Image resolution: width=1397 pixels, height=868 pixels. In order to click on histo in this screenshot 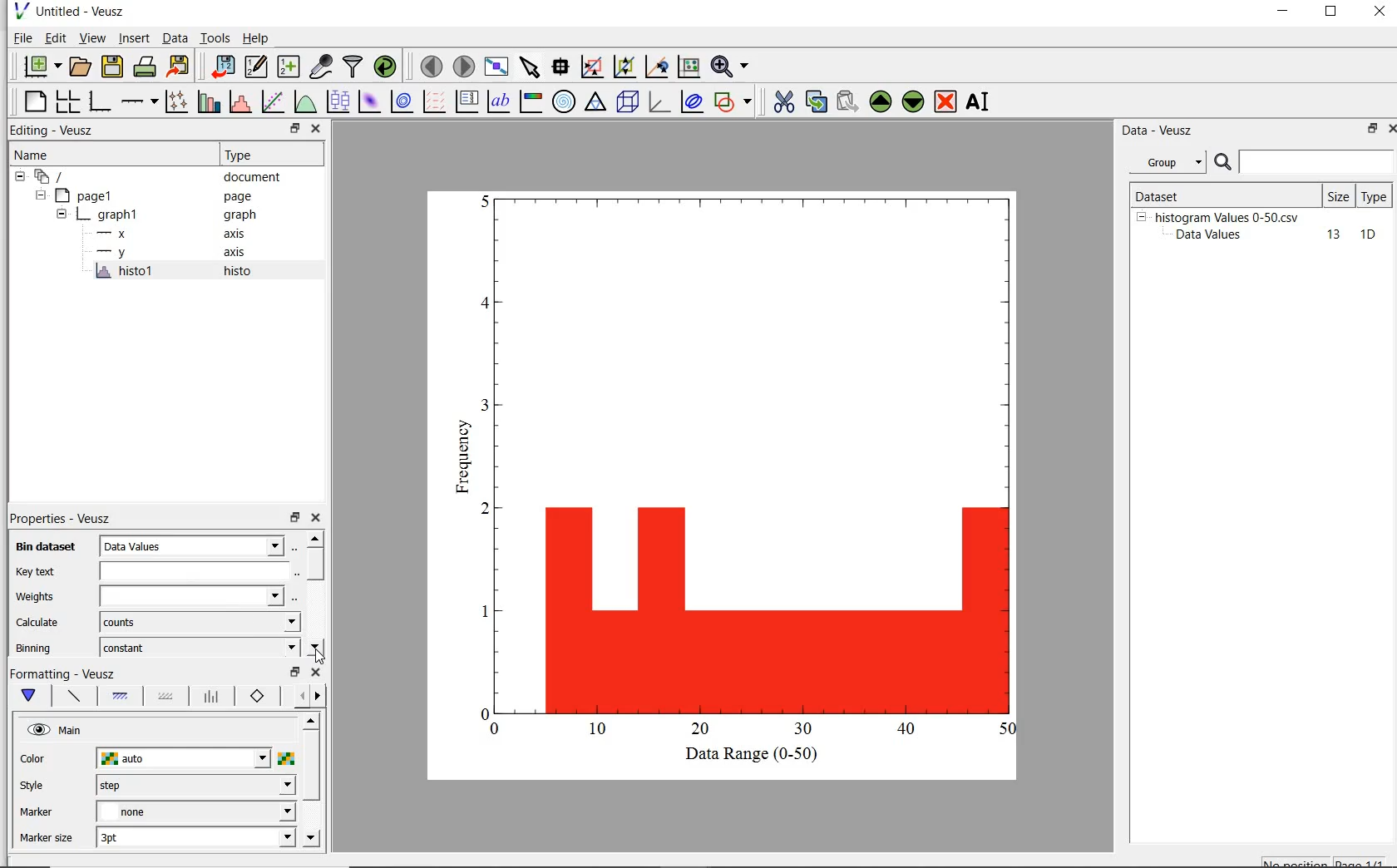, I will do `click(239, 272)`.